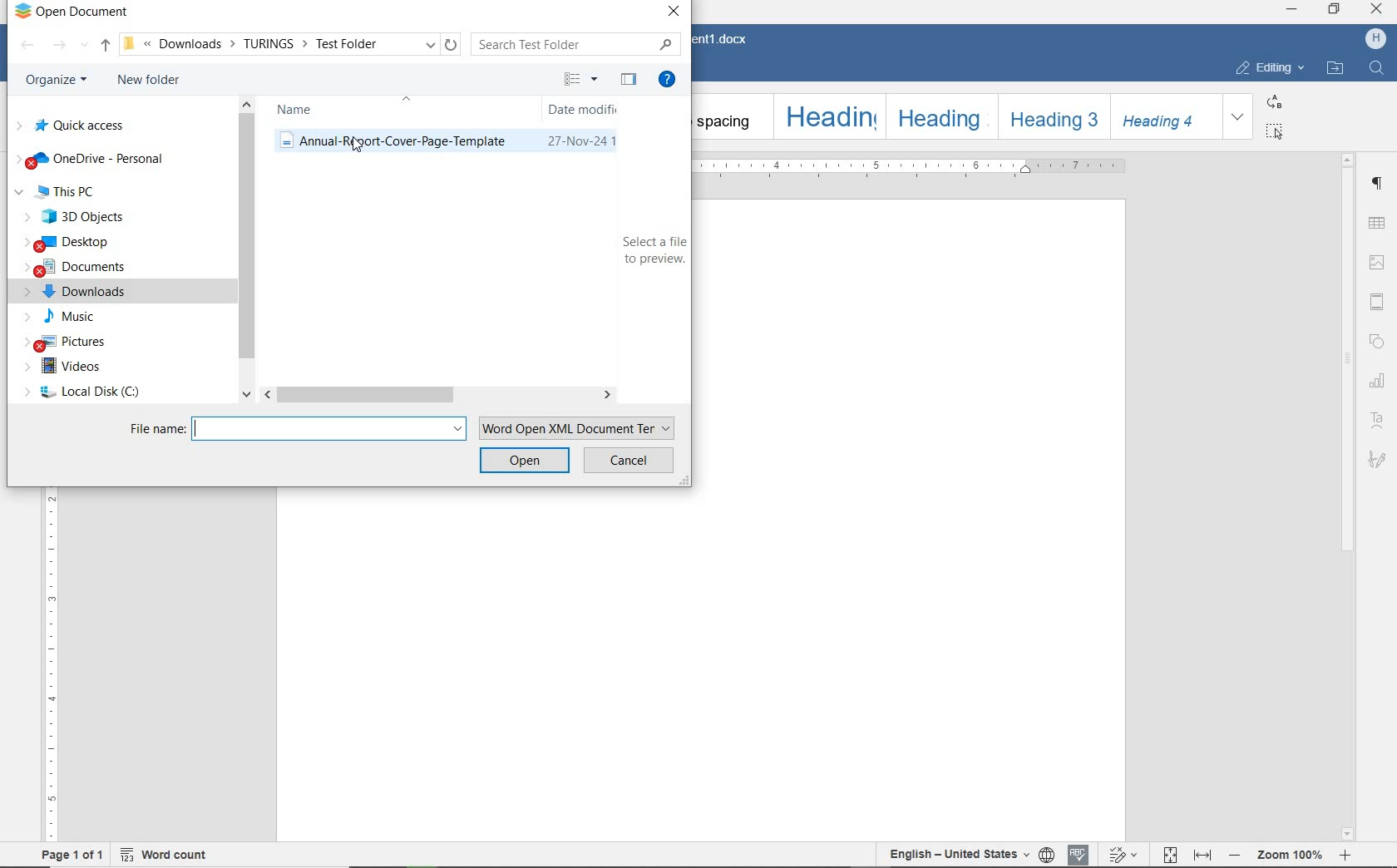 This screenshot has width=1397, height=868. What do you see at coordinates (1378, 262) in the screenshot?
I see `set image` at bounding box center [1378, 262].